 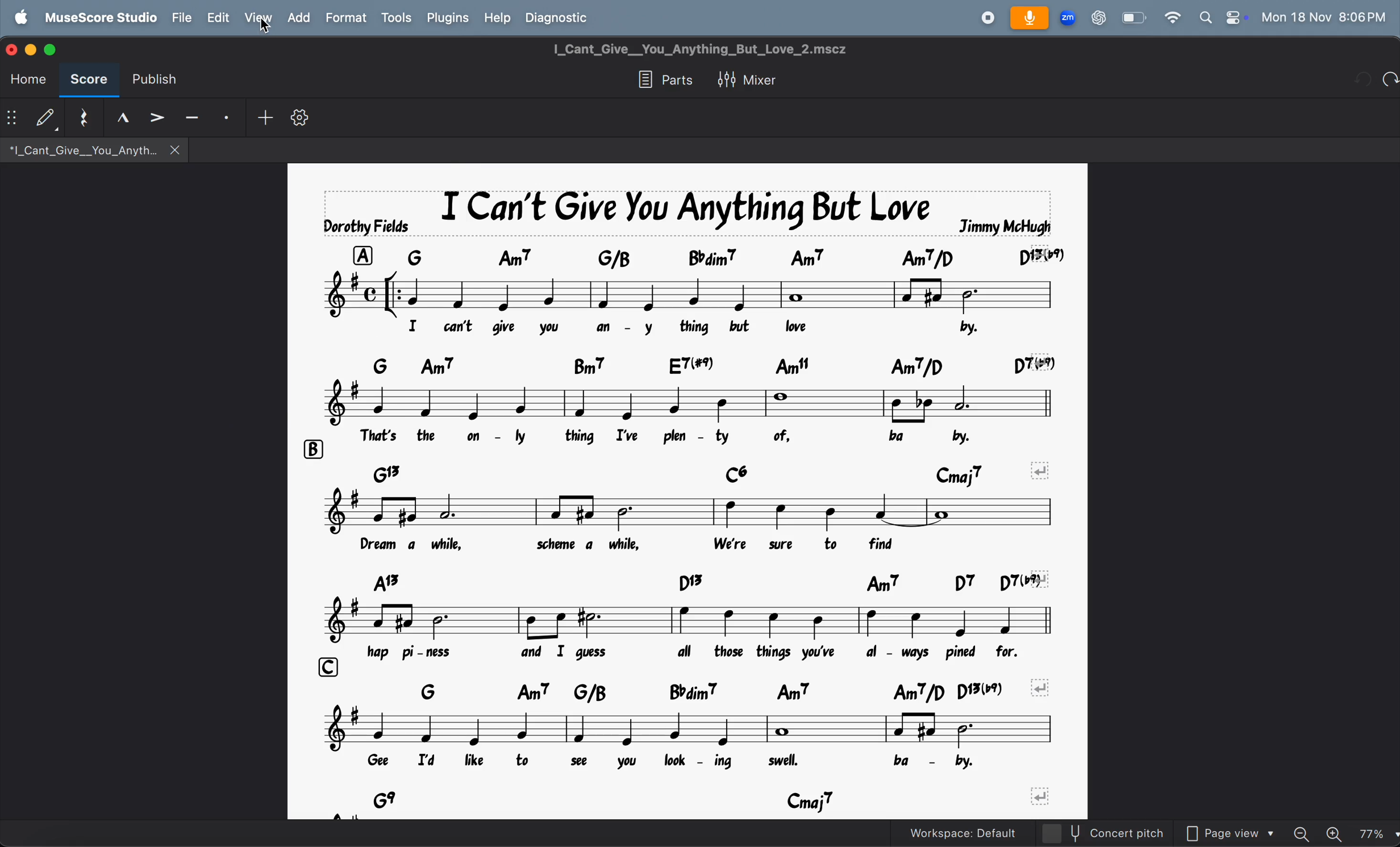 I want to click on publish, so click(x=153, y=77).